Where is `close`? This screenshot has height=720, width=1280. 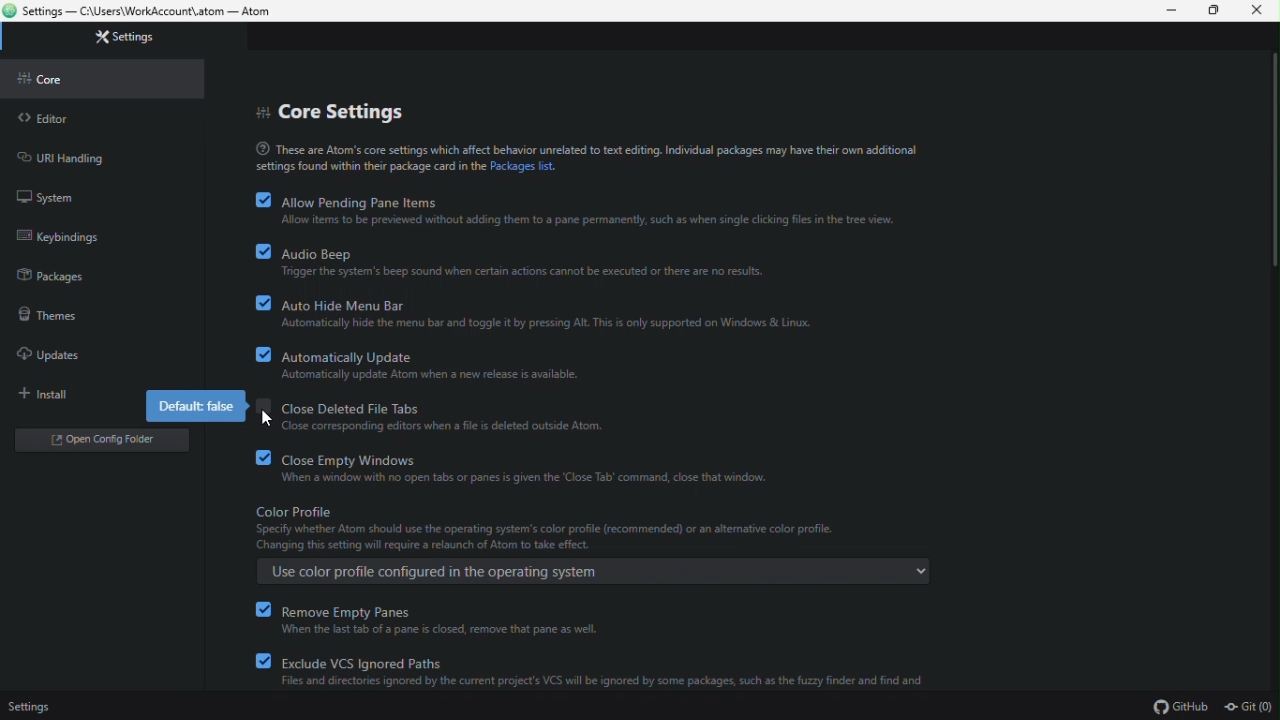 close is located at coordinates (1260, 12).